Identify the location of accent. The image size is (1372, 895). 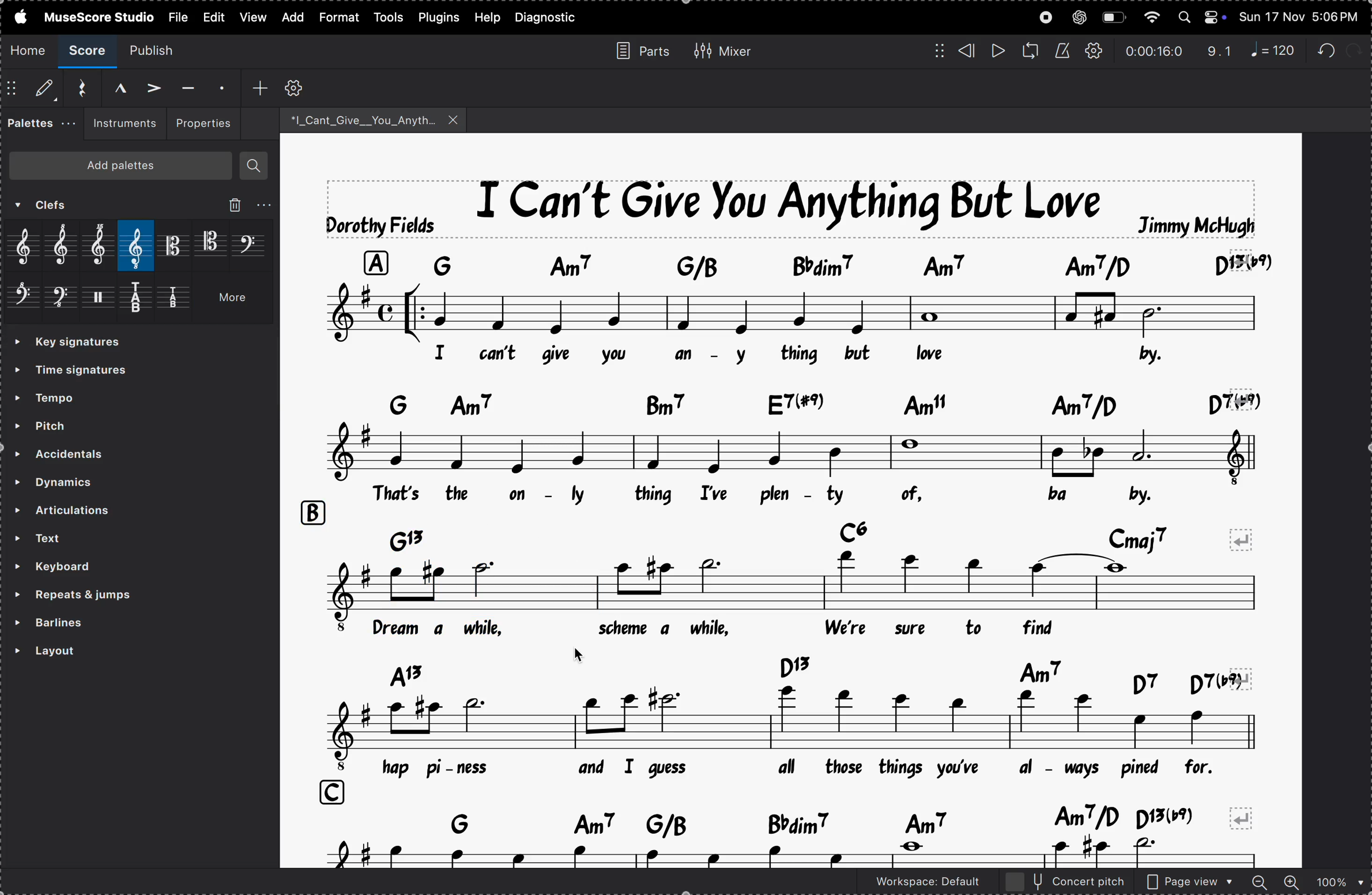
(149, 86).